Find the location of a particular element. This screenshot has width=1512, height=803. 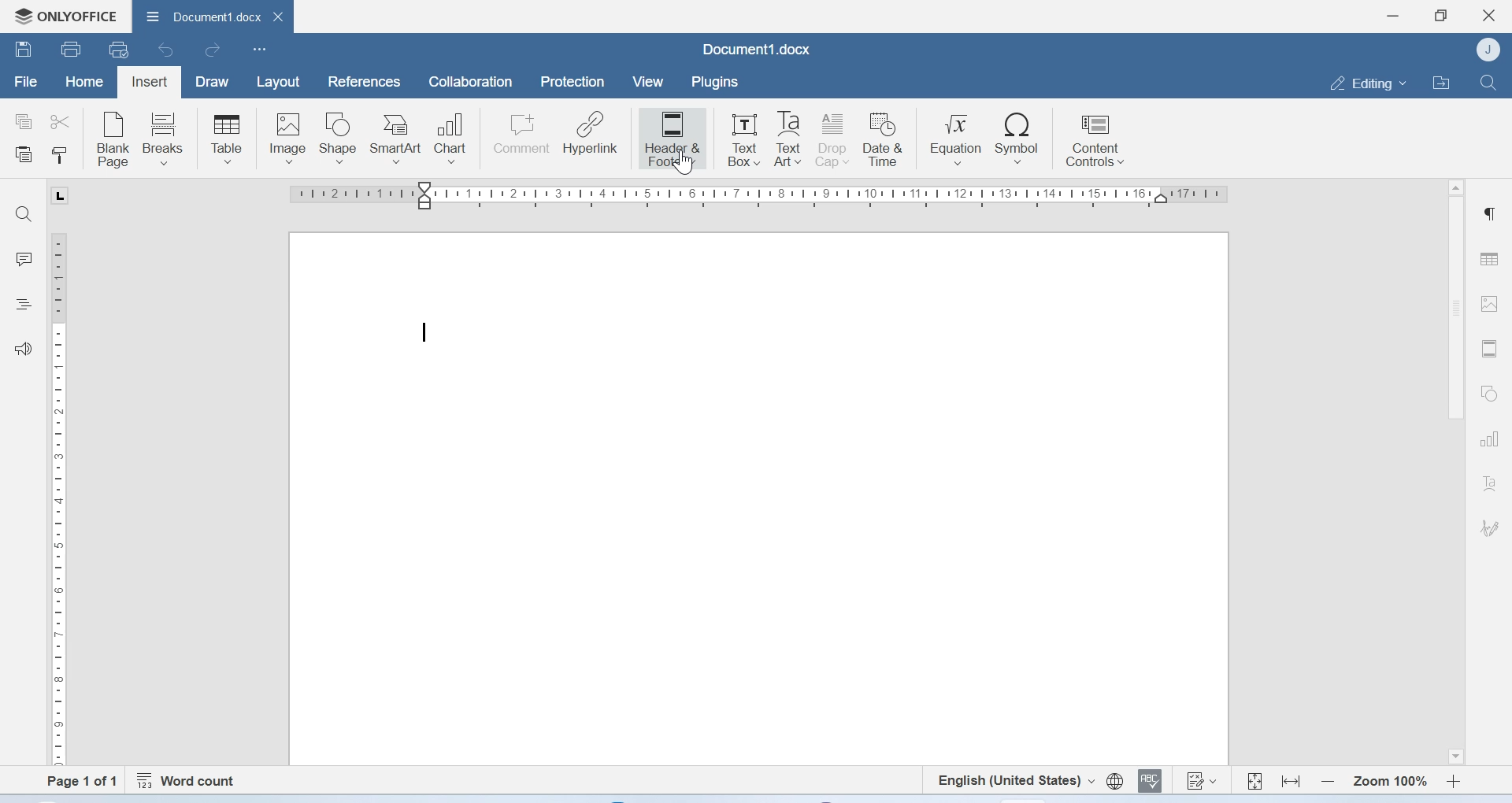

Account is located at coordinates (1488, 50).